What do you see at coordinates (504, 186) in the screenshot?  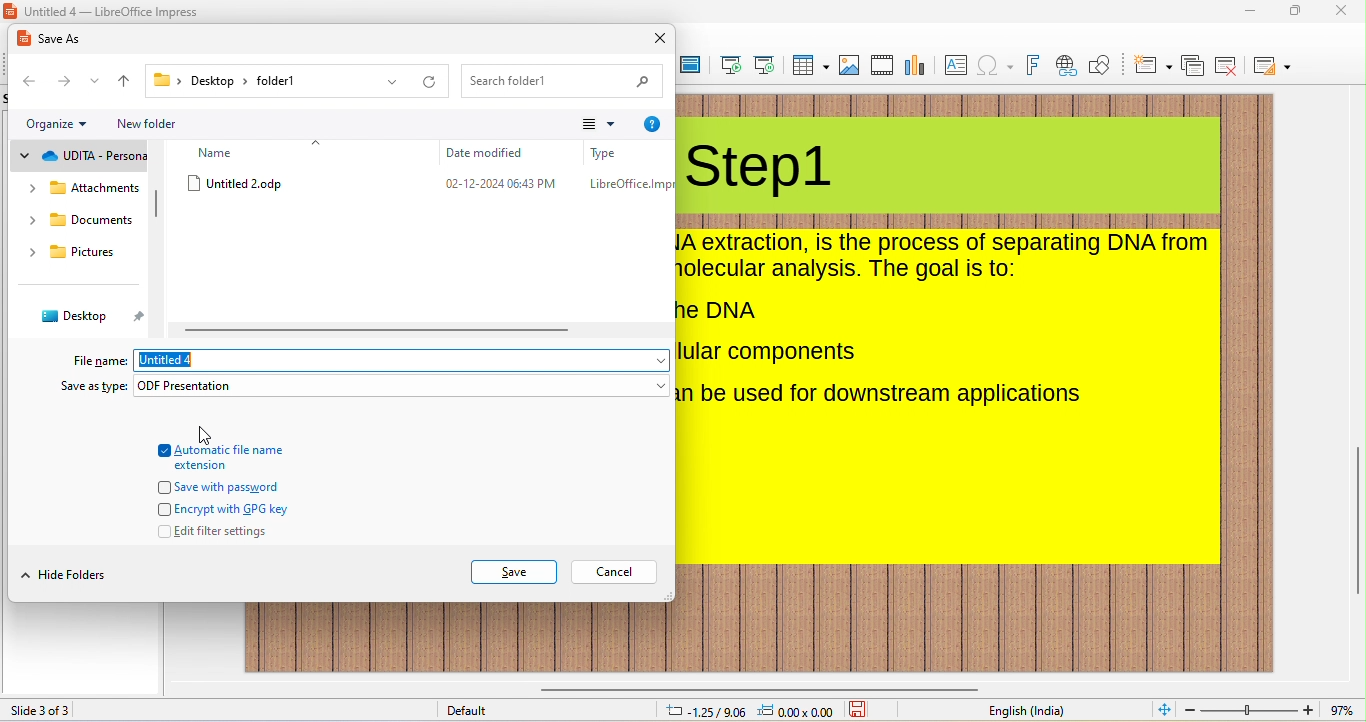 I see `date modified` at bounding box center [504, 186].